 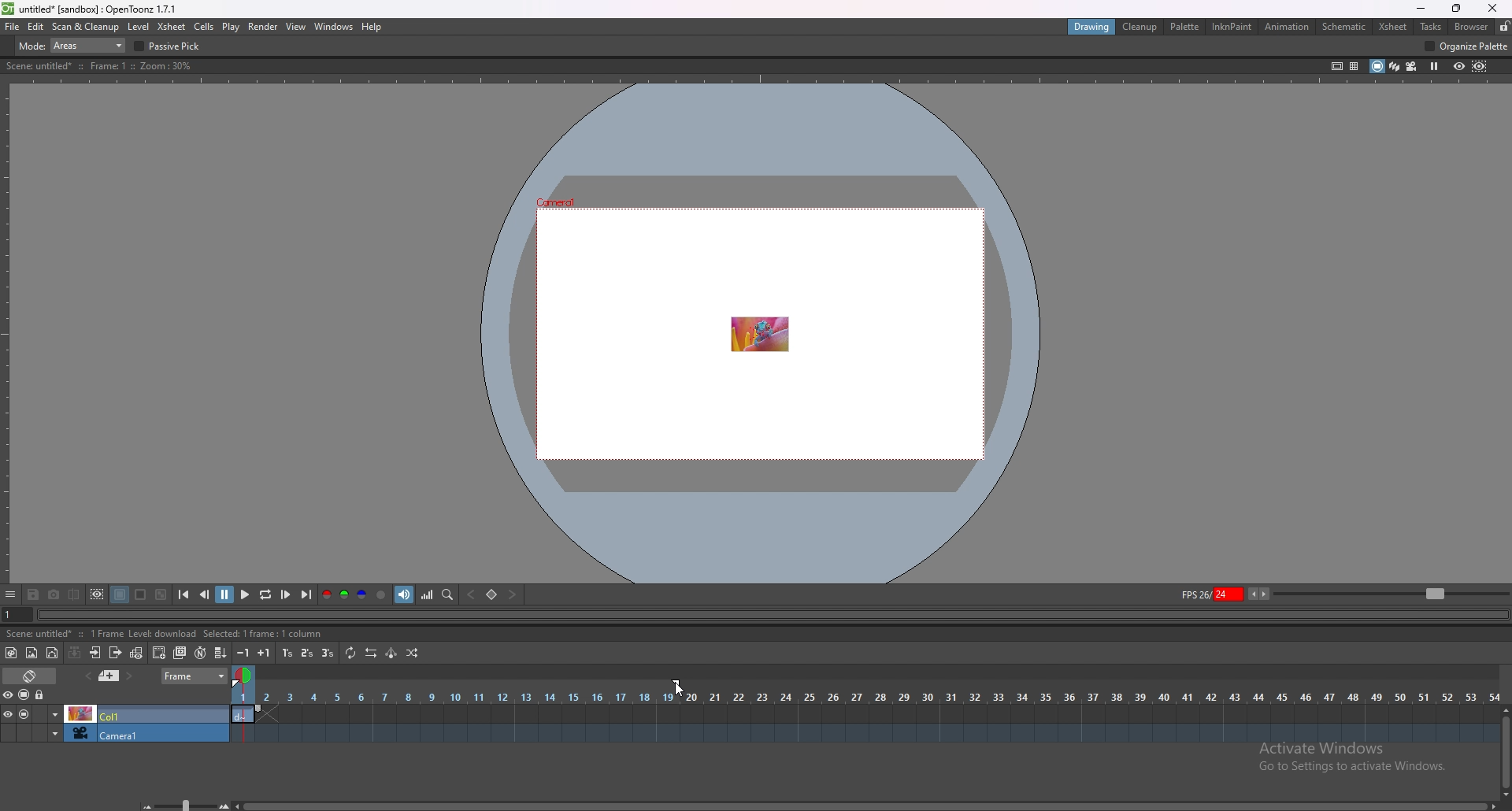 What do you see at coordinates (511, 594) in the screenshot?
I see `next key` at bounding box center [511, 594].